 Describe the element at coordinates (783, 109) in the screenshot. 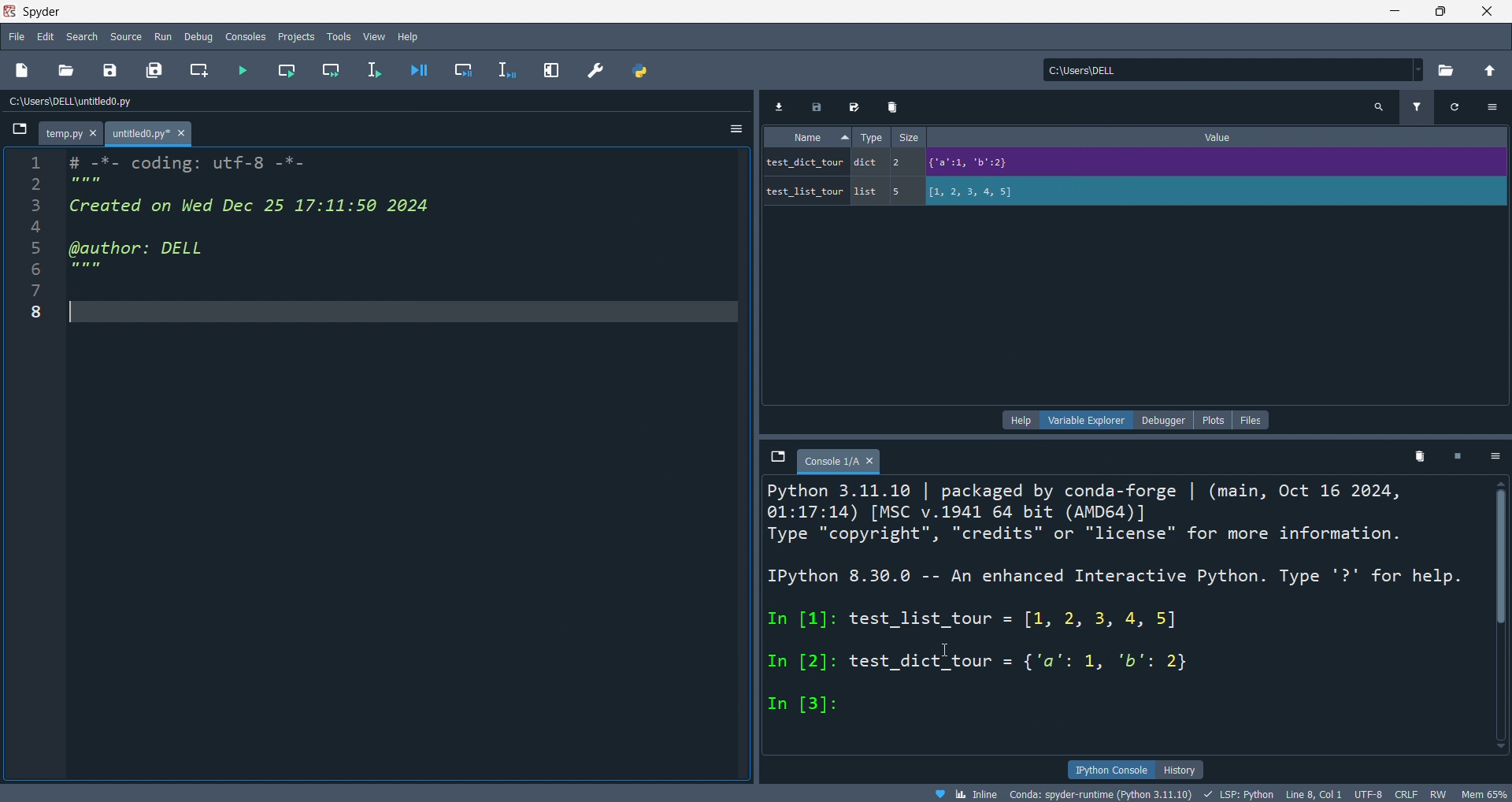

I see `import data` at that location.